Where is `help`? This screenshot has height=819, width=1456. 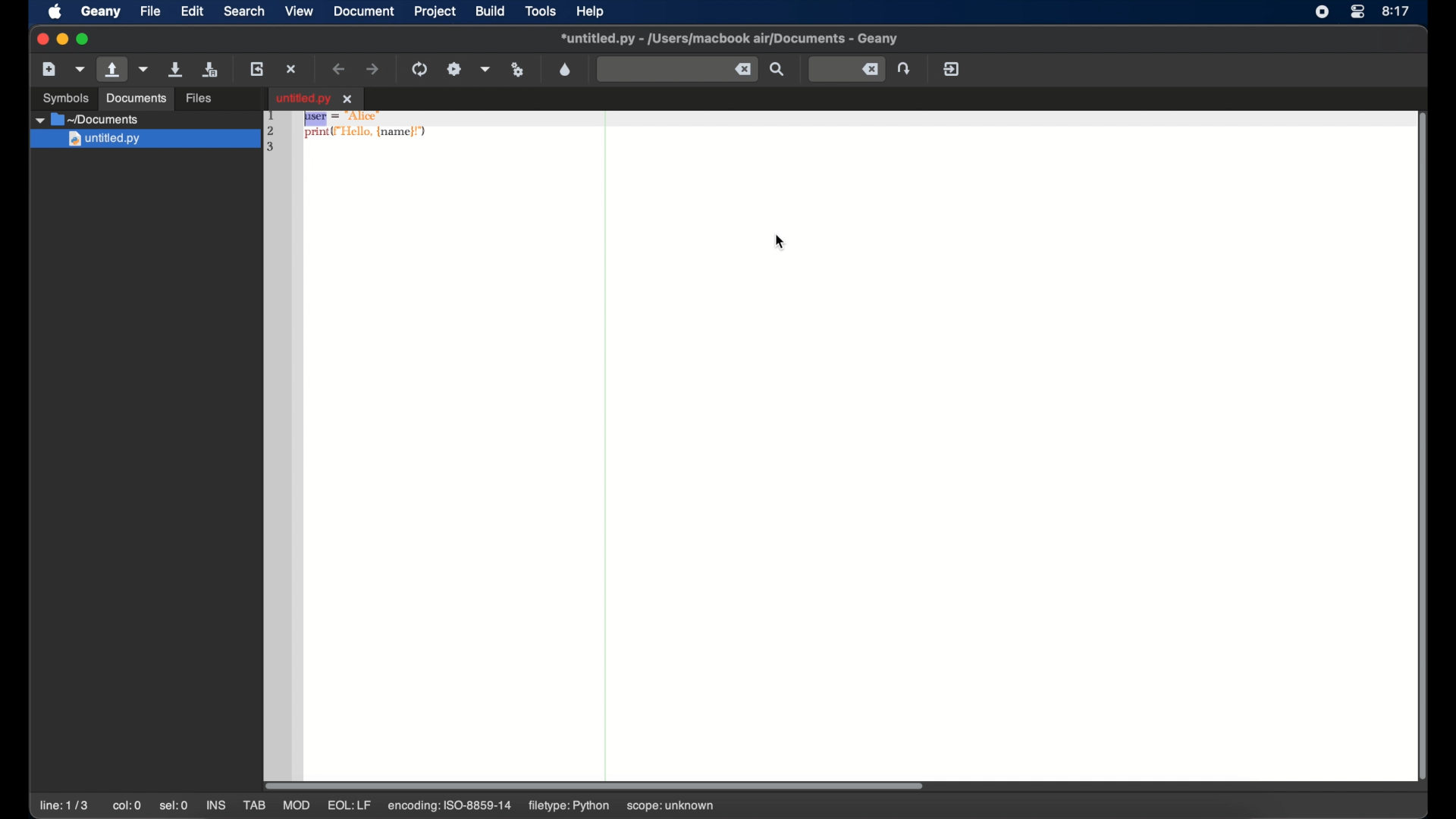 help is located at coordinates (590, 11).